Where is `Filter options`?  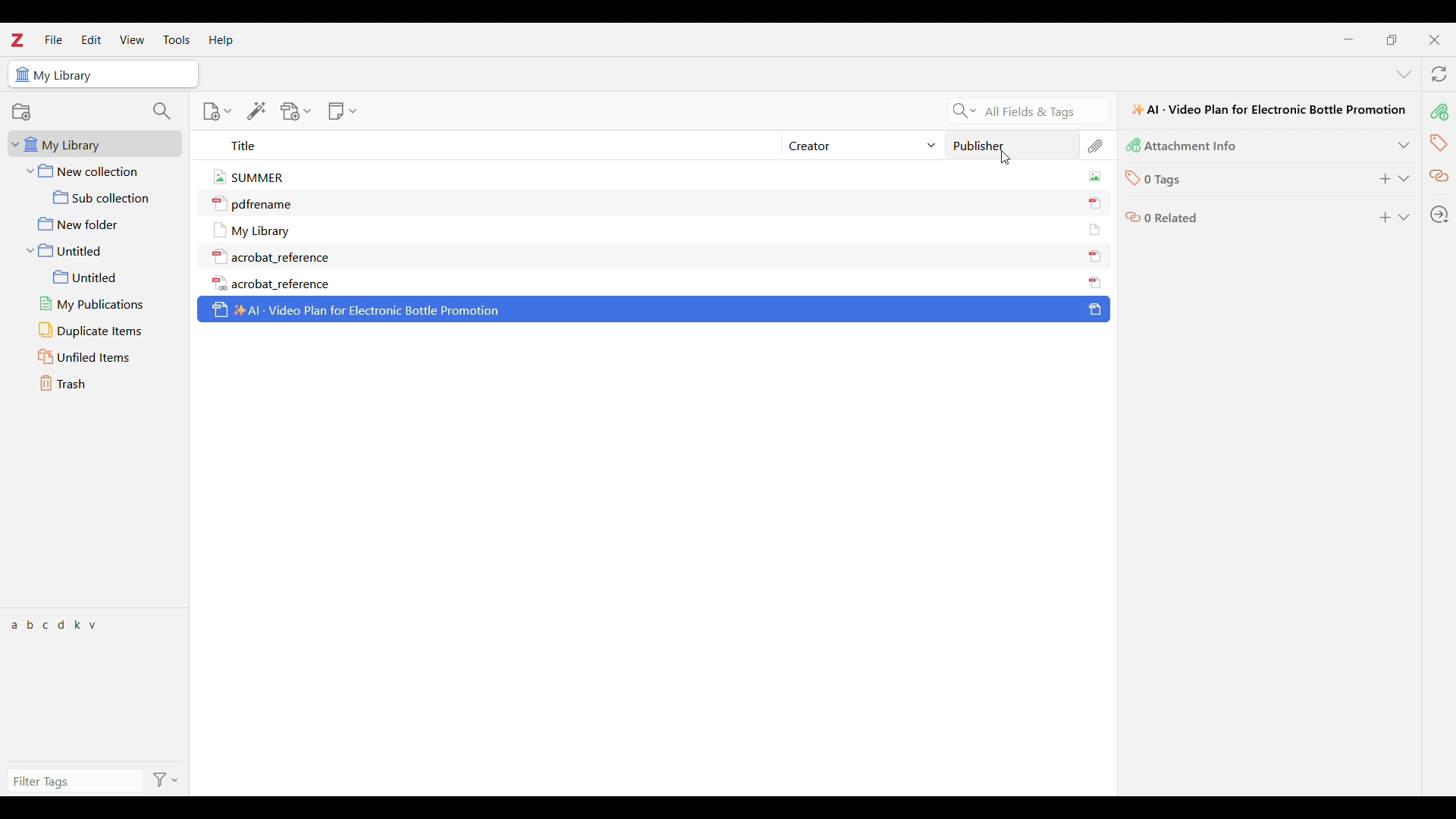
Filter options is located at coordinates (165, 781).